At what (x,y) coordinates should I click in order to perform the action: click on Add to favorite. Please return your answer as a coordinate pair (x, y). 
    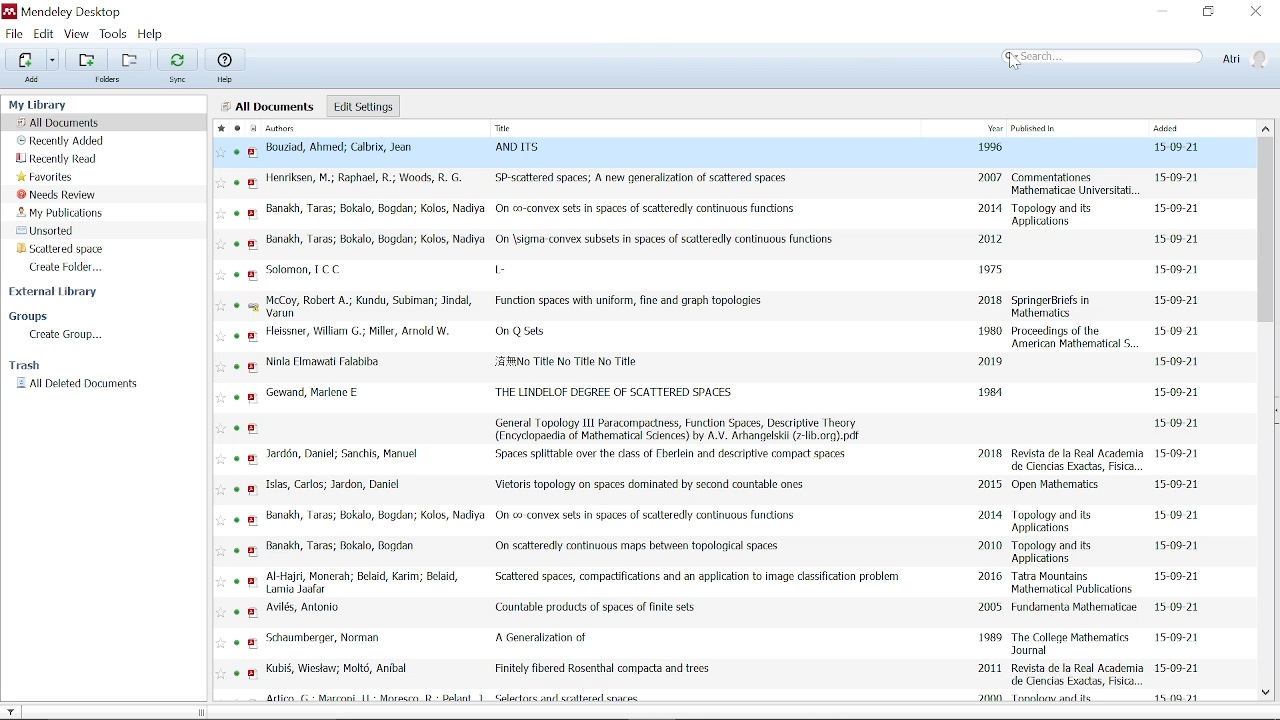
    Looking at the image, I should click on (221, 581).